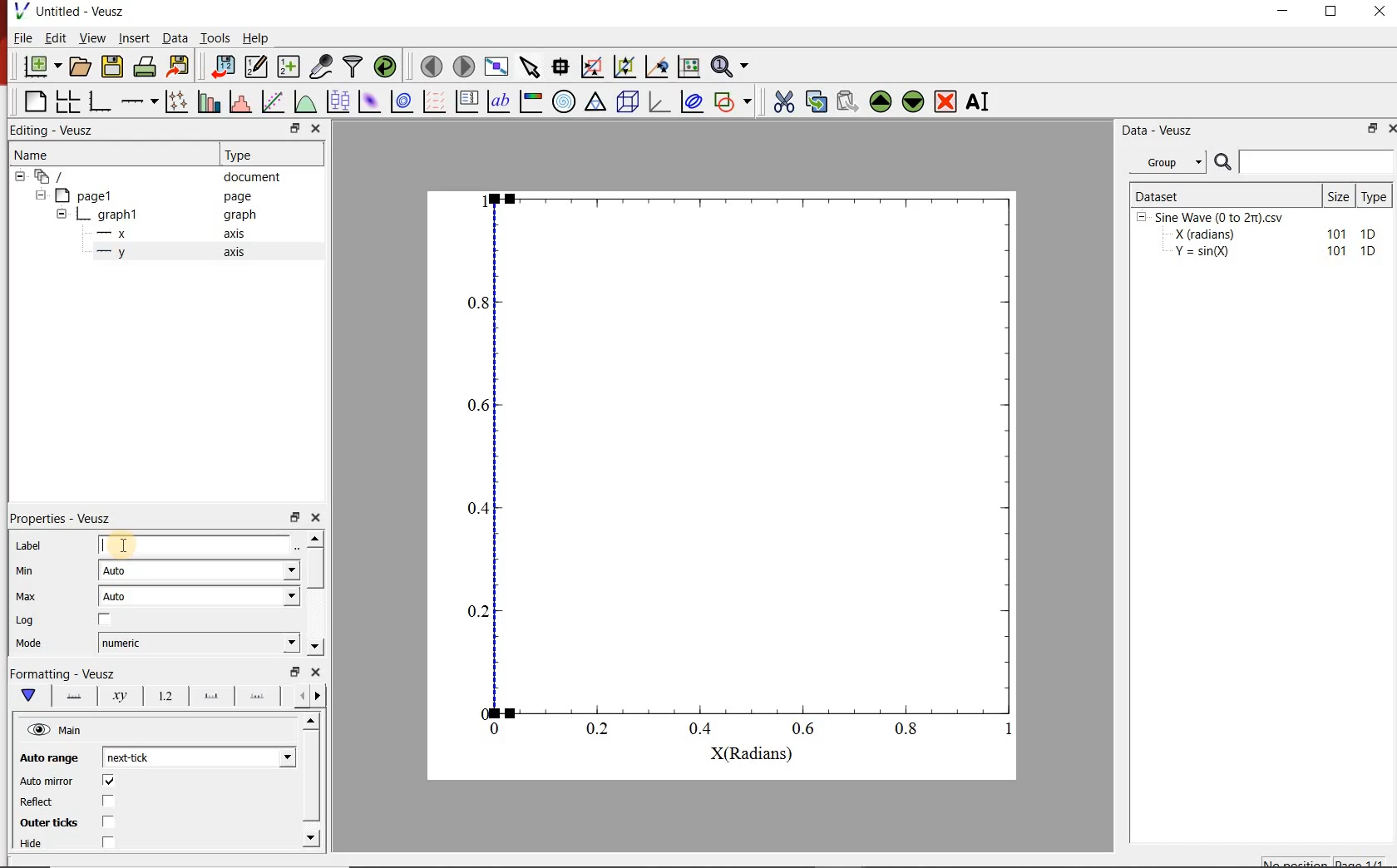  What do you see at coordinates (323, 67) in the screenshot?
I see `capture remote data` at bounding box center [323, 67].